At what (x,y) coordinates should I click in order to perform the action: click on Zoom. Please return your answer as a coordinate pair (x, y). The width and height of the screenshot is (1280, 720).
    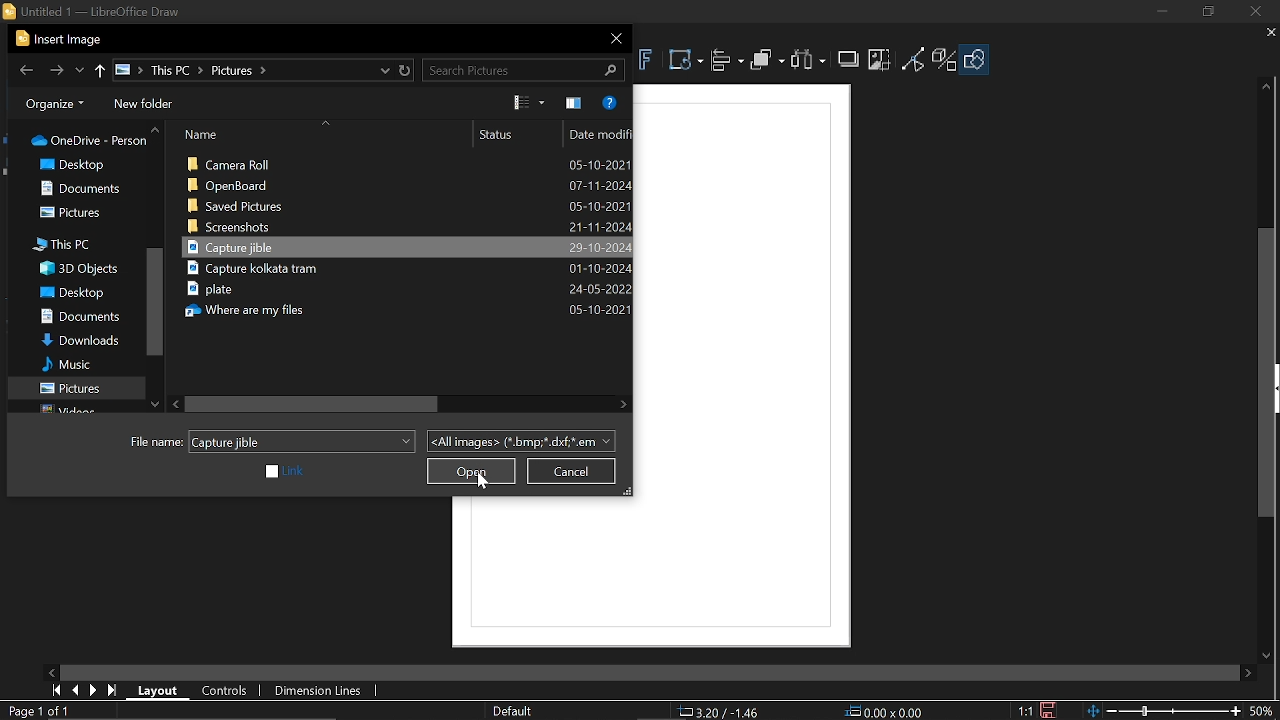
    Looking at the image, I should click on (1182, 711).